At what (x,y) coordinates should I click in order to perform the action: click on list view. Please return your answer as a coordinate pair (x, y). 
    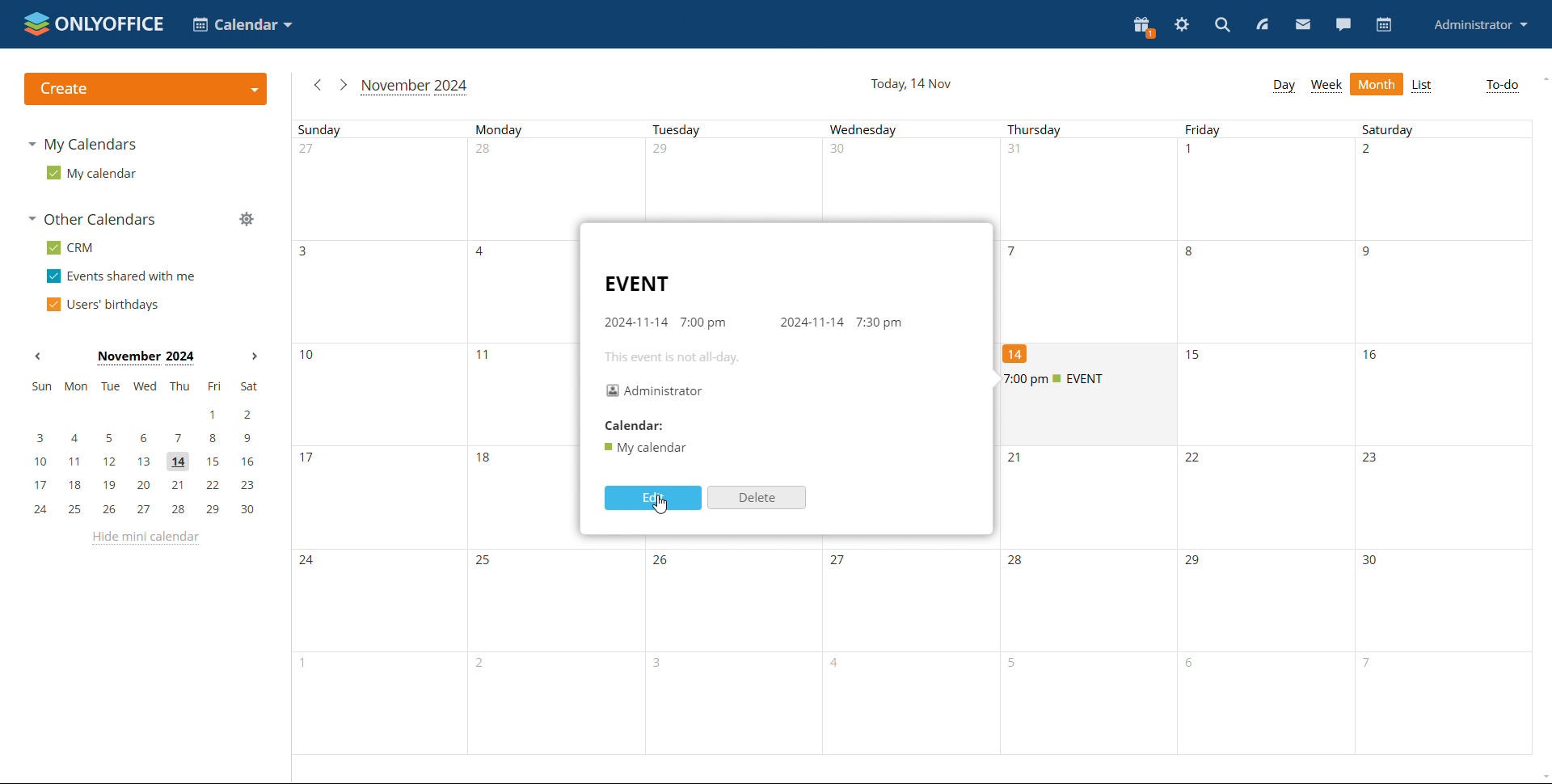
    Looking at the image, I should click on (1423, 85).